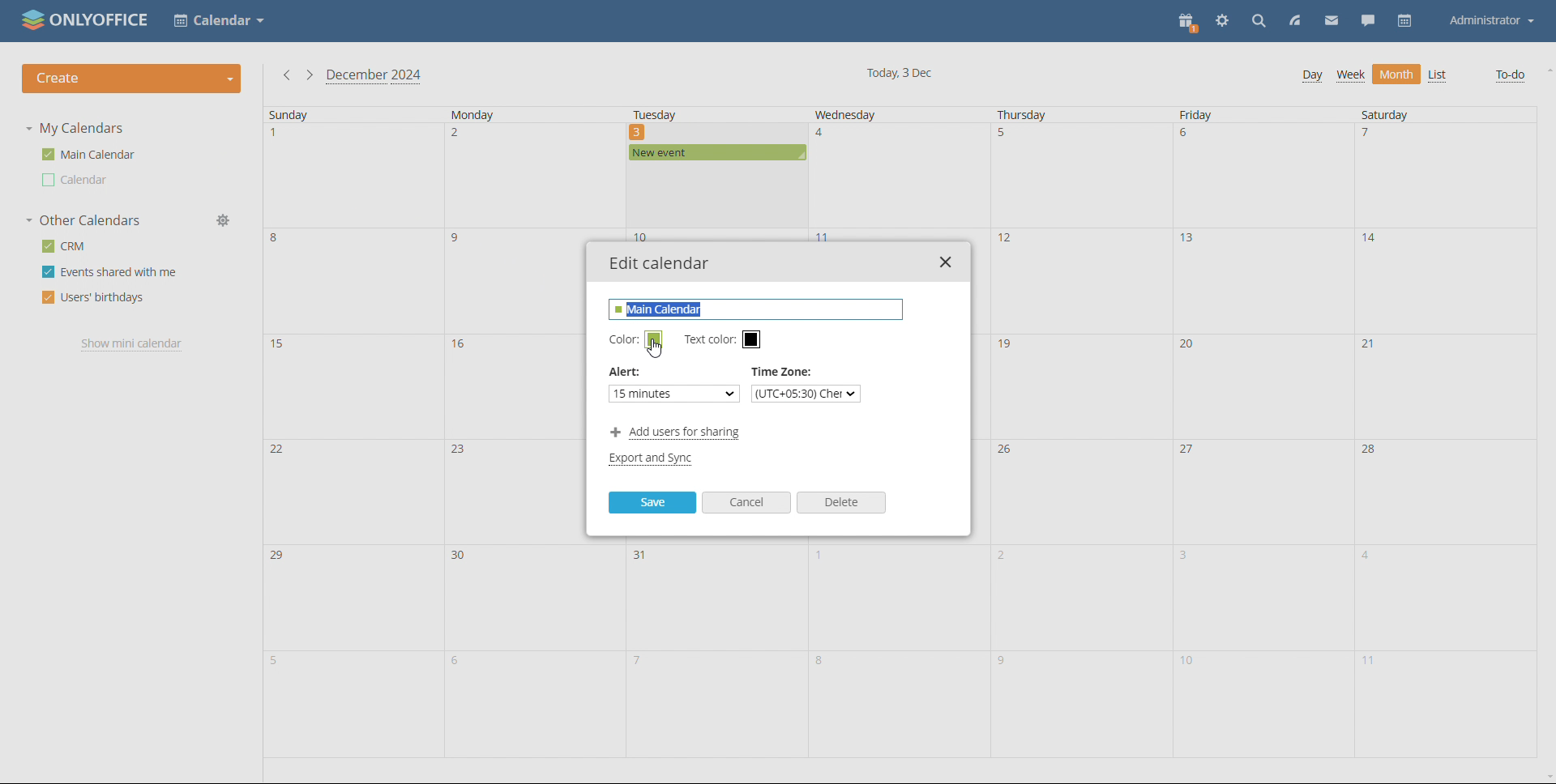 The height and width of the screenshot is (784, 1556). Describe the element at coordinates (76, 180) in the screenshot. I see `other calendar` at that location.